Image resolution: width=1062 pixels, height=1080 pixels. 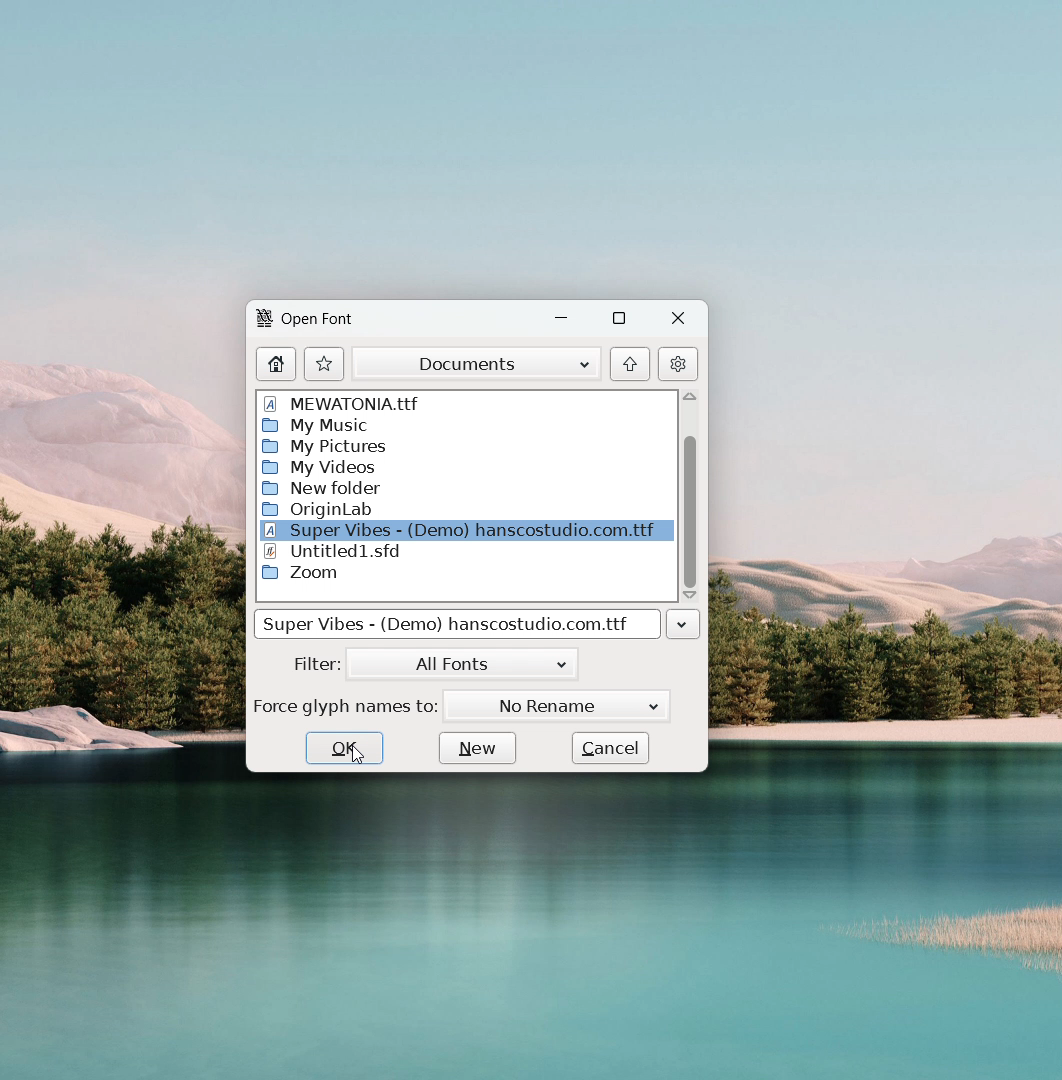 What do you see at coordinates (683, 624) in the screenshot?
I see `click to see file history` at bounding box center [683, 624].